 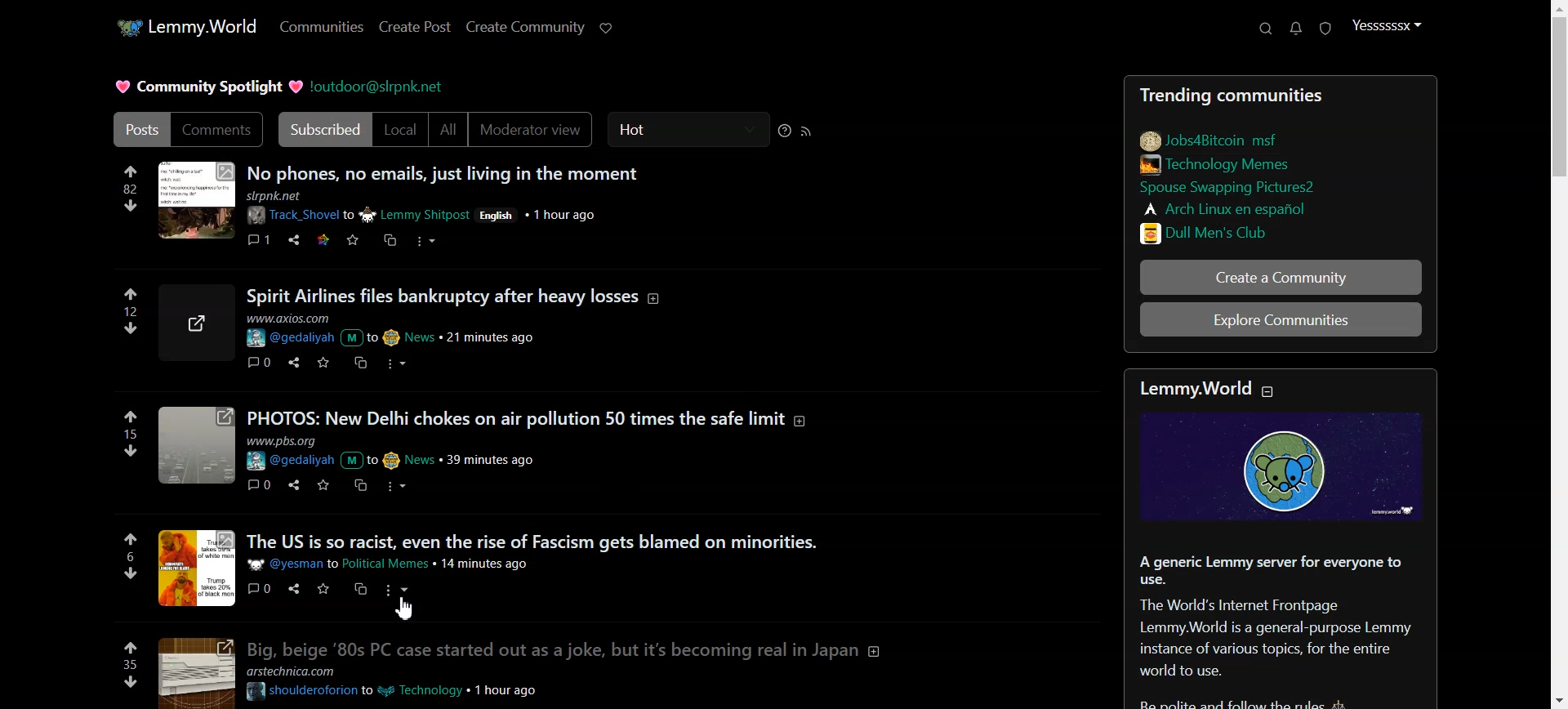 I want to click on image, so click(x=200, y=323).